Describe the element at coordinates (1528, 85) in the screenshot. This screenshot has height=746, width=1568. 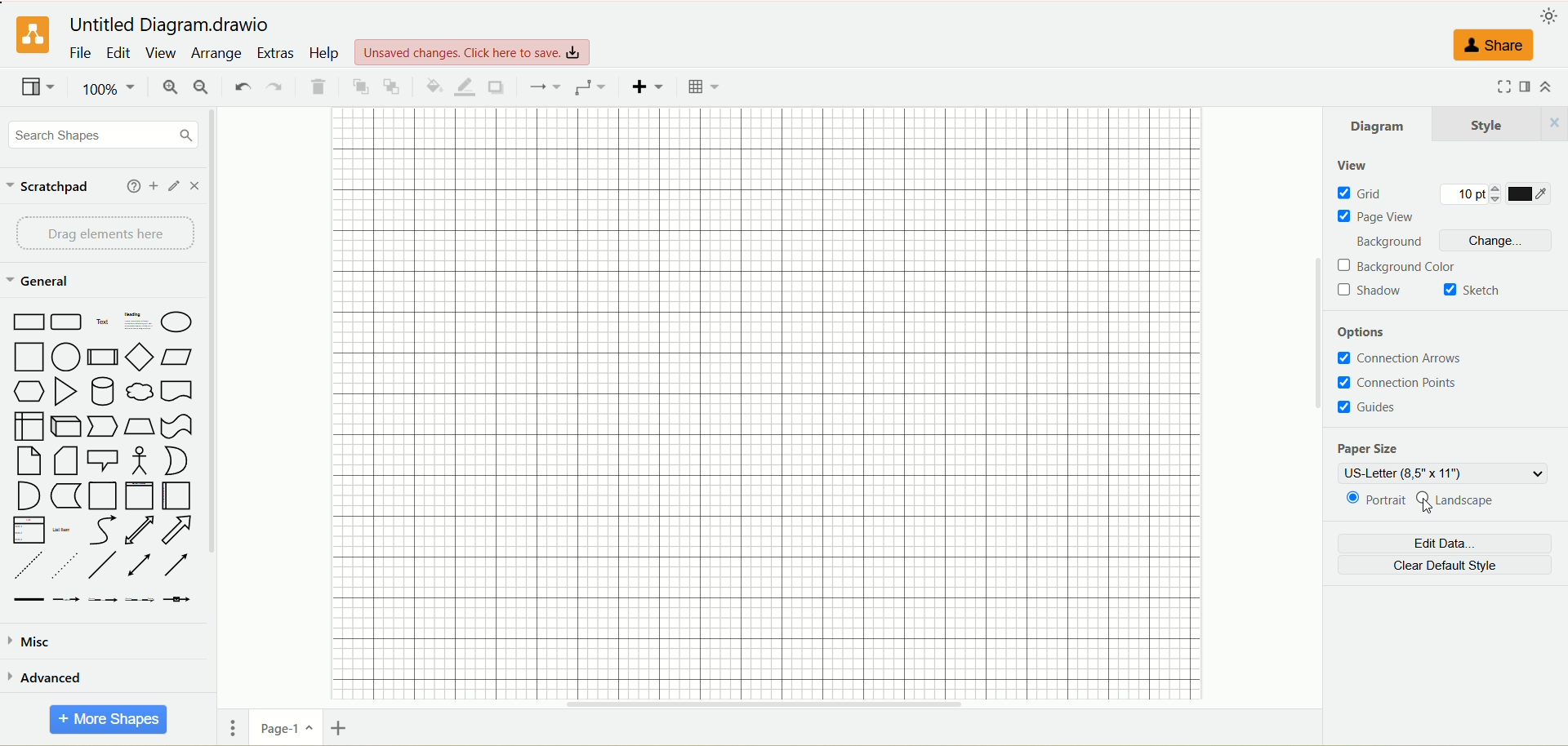
I see `format` at that location.